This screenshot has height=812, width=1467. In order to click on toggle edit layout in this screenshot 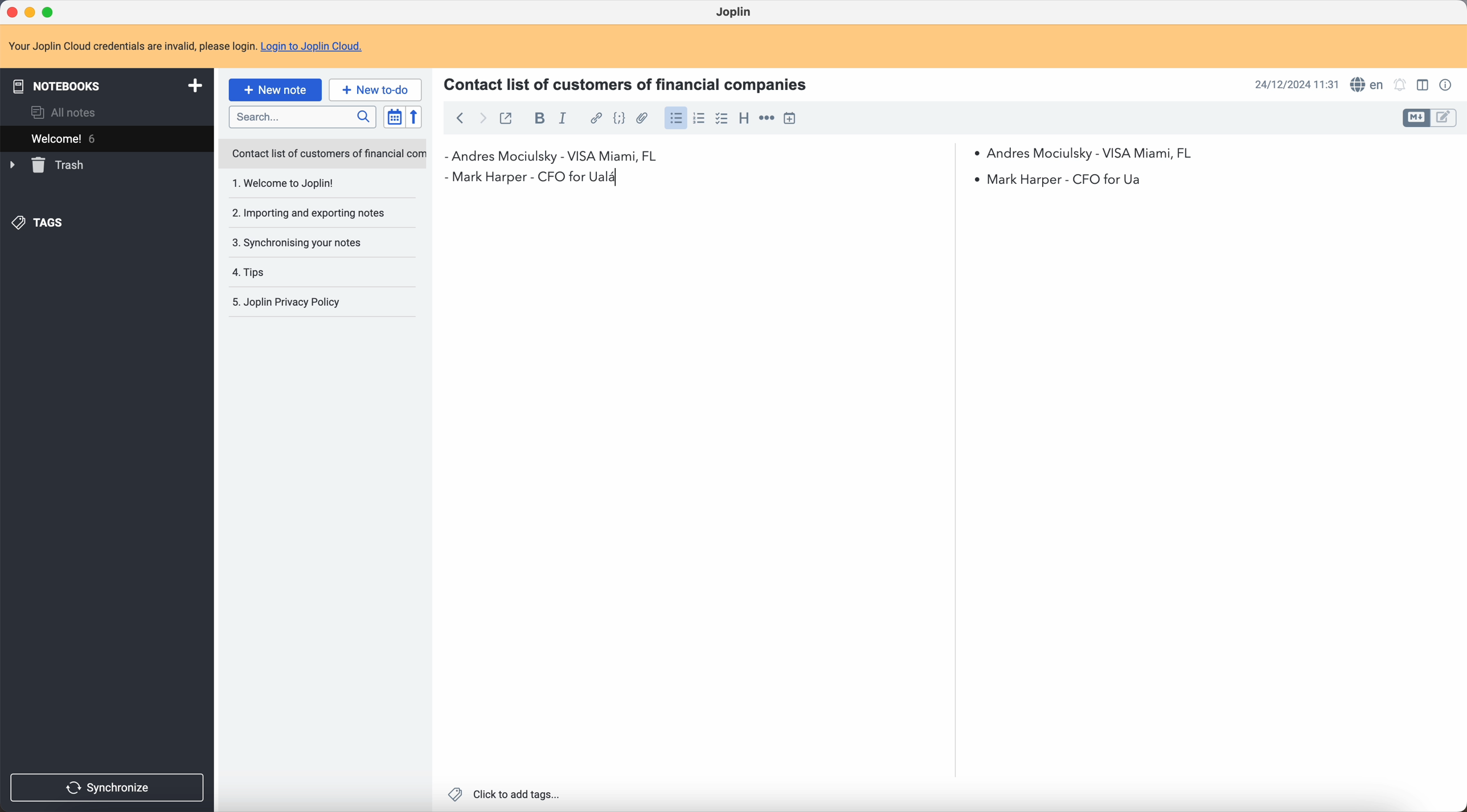, I will do `click(1444, 118)`.